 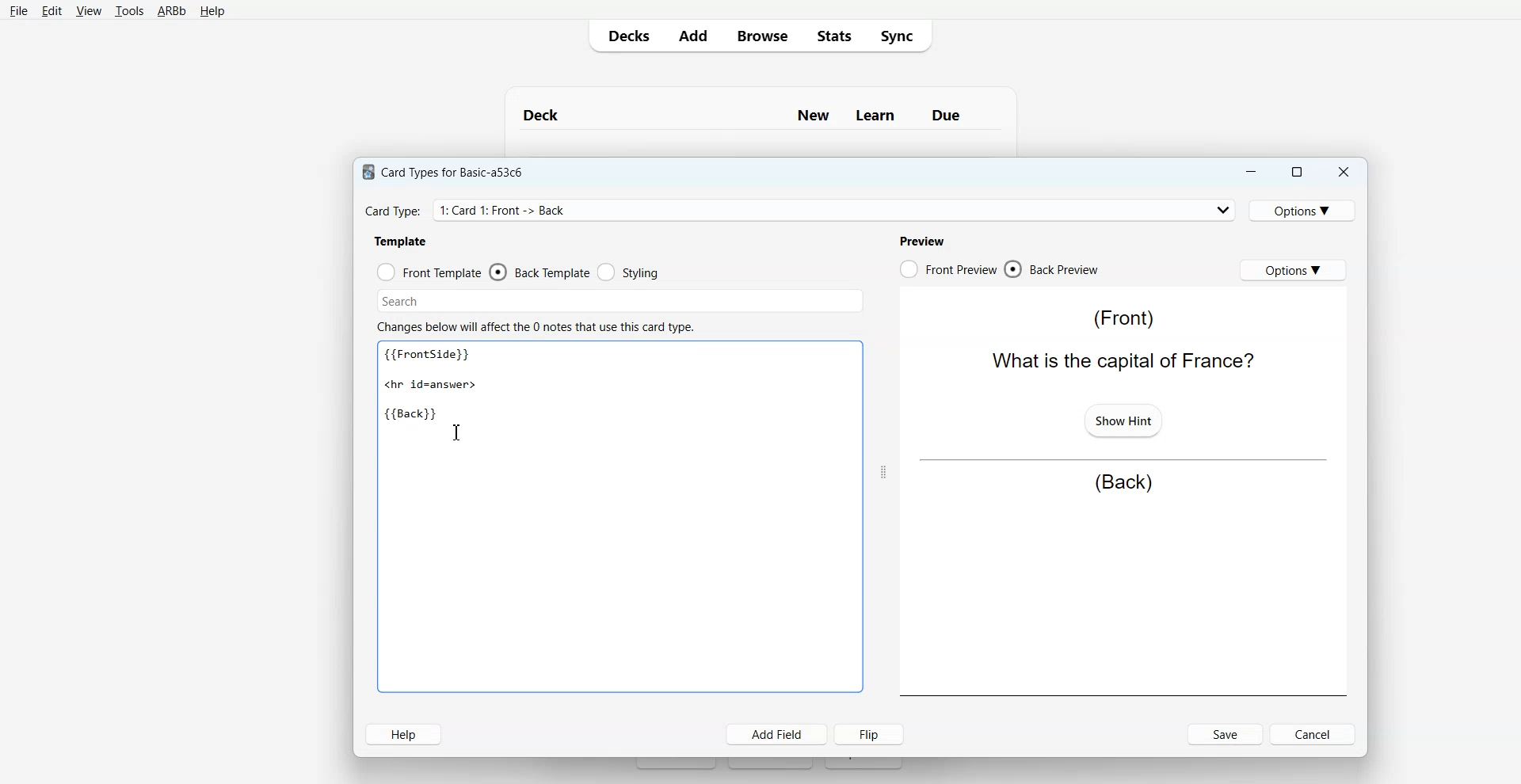 I want to click on Save, so click(x=1226, y=734).